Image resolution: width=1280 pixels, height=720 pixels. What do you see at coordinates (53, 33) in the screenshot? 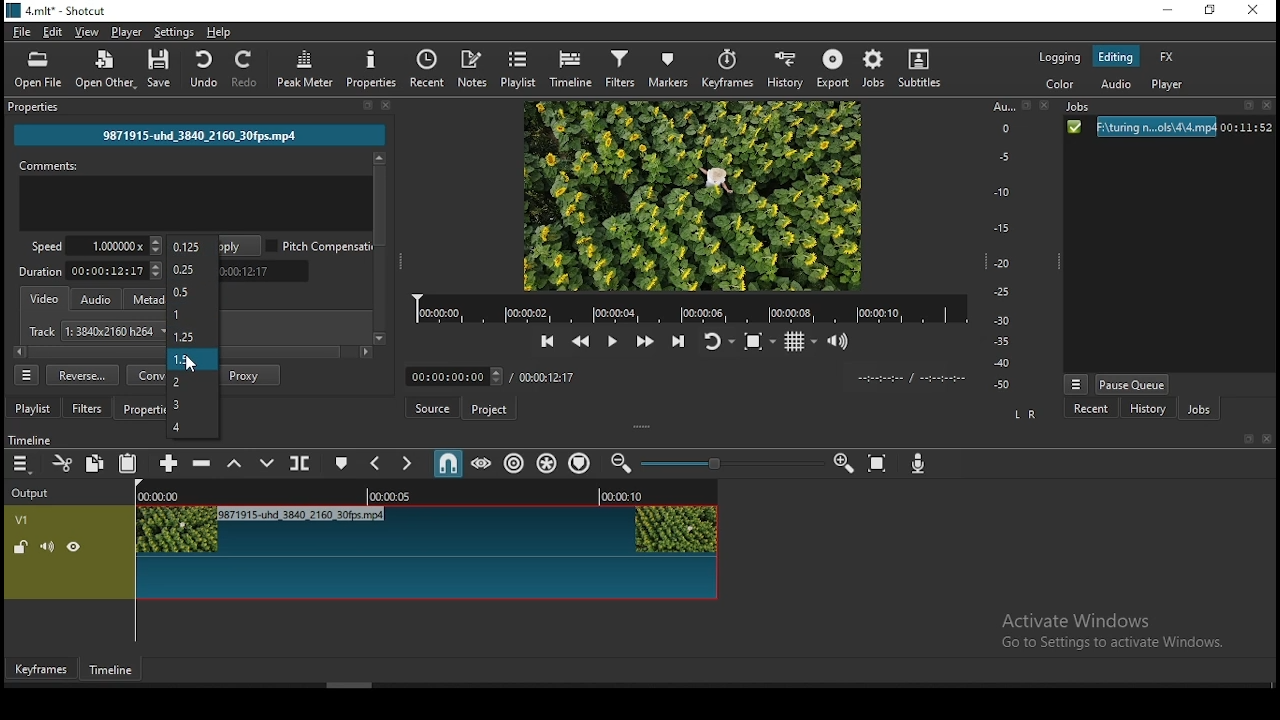
I see `edit` at bounding box center [53, 33].